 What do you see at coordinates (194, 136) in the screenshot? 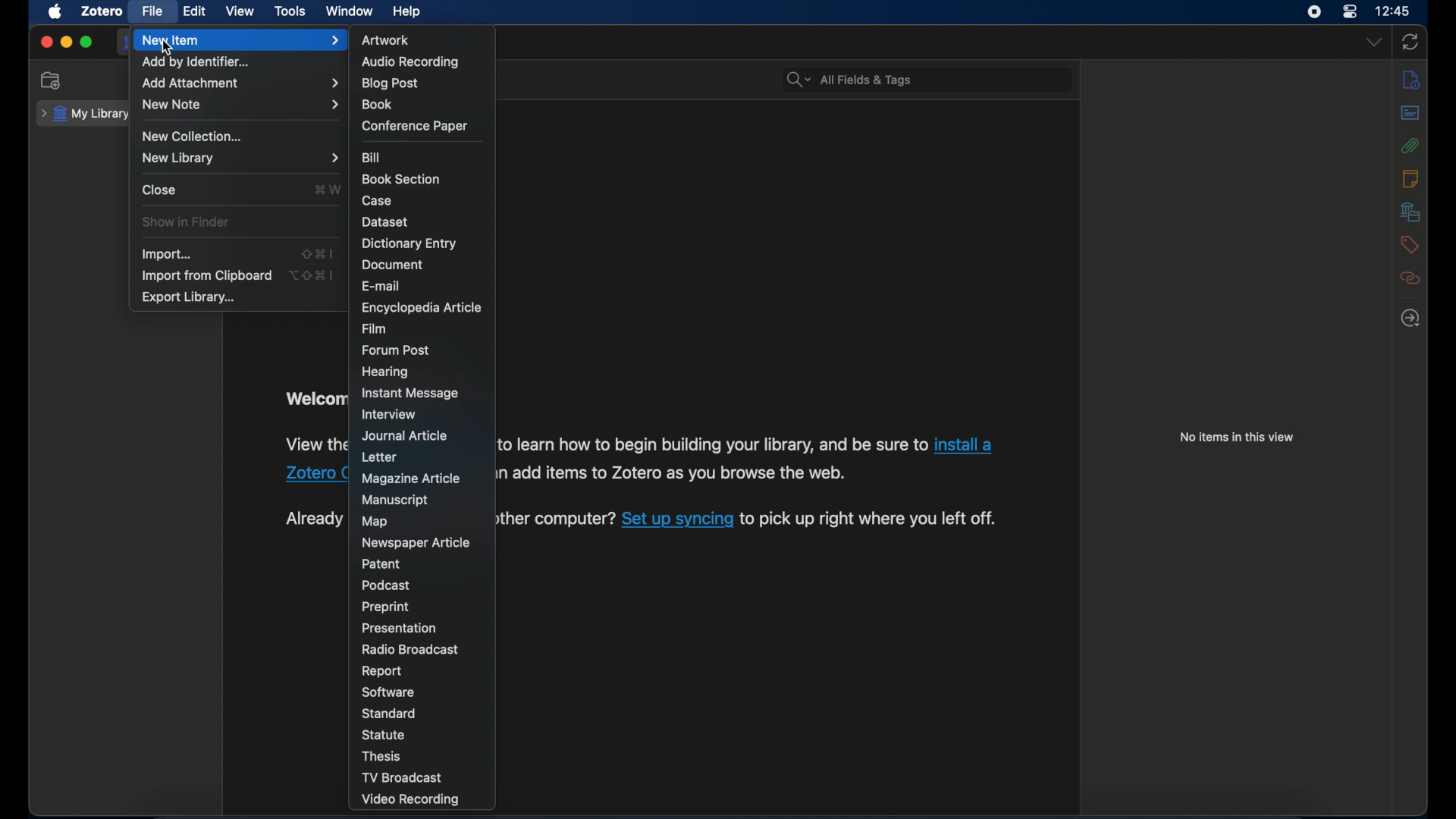
I see `new collection` at bounding box center [194, 136].